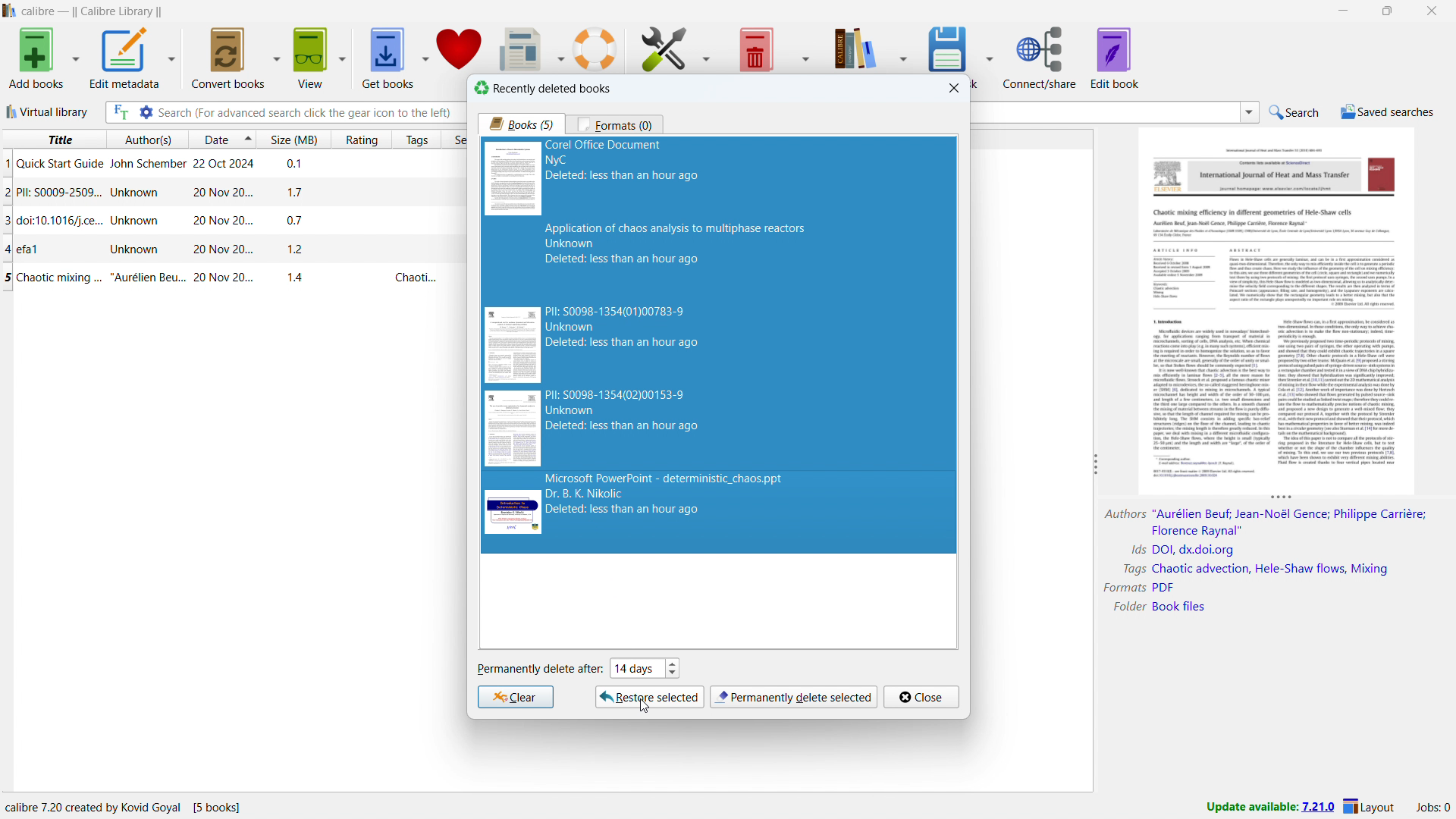 This screenshot has height=819, width=1456. What do you see at coordinates (755, 48) in the screenshot?
I see `remove books` at bounding box center [755, 48].